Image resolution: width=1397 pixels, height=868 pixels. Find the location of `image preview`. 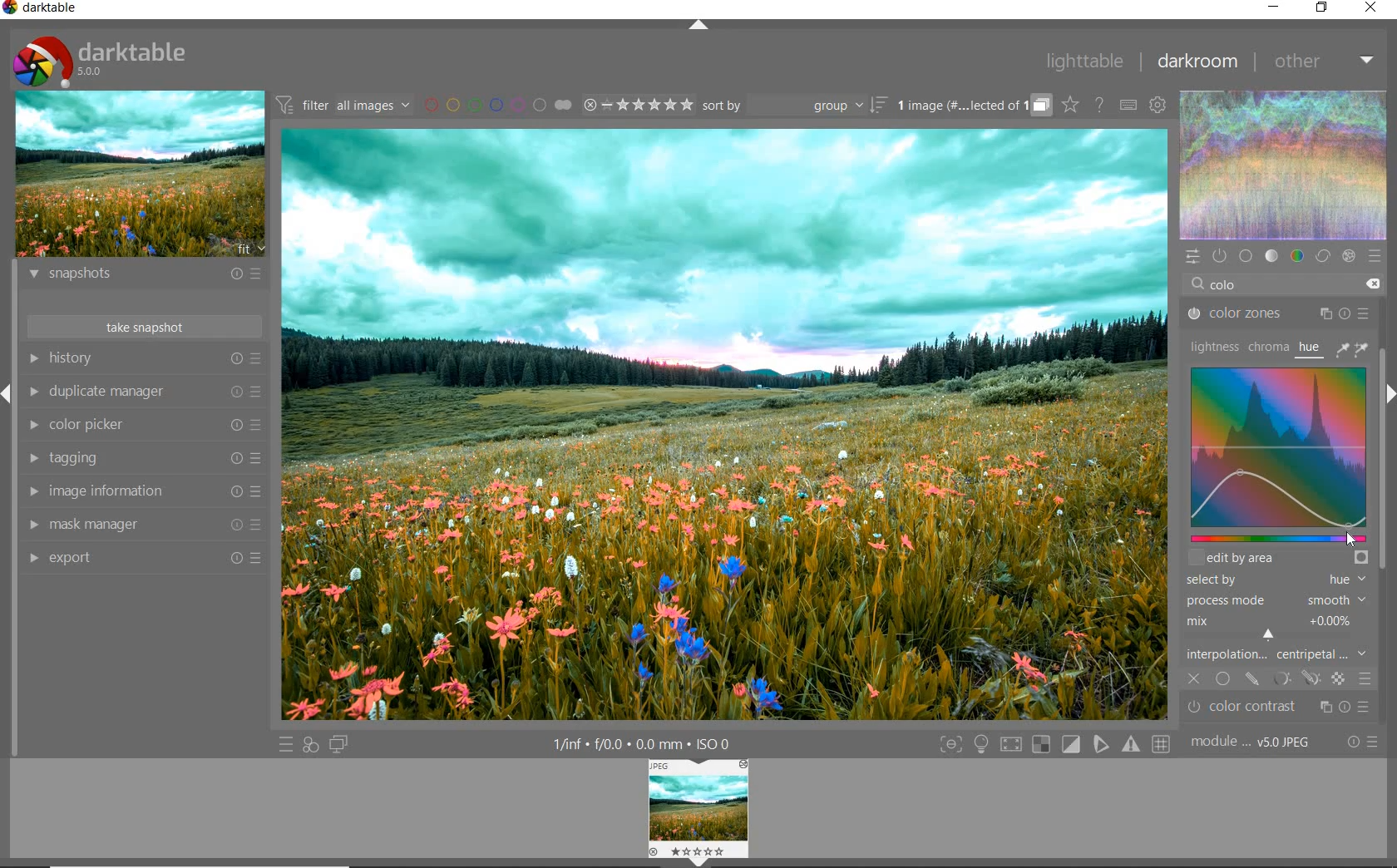

image preview is located at coordinates (140, 176).